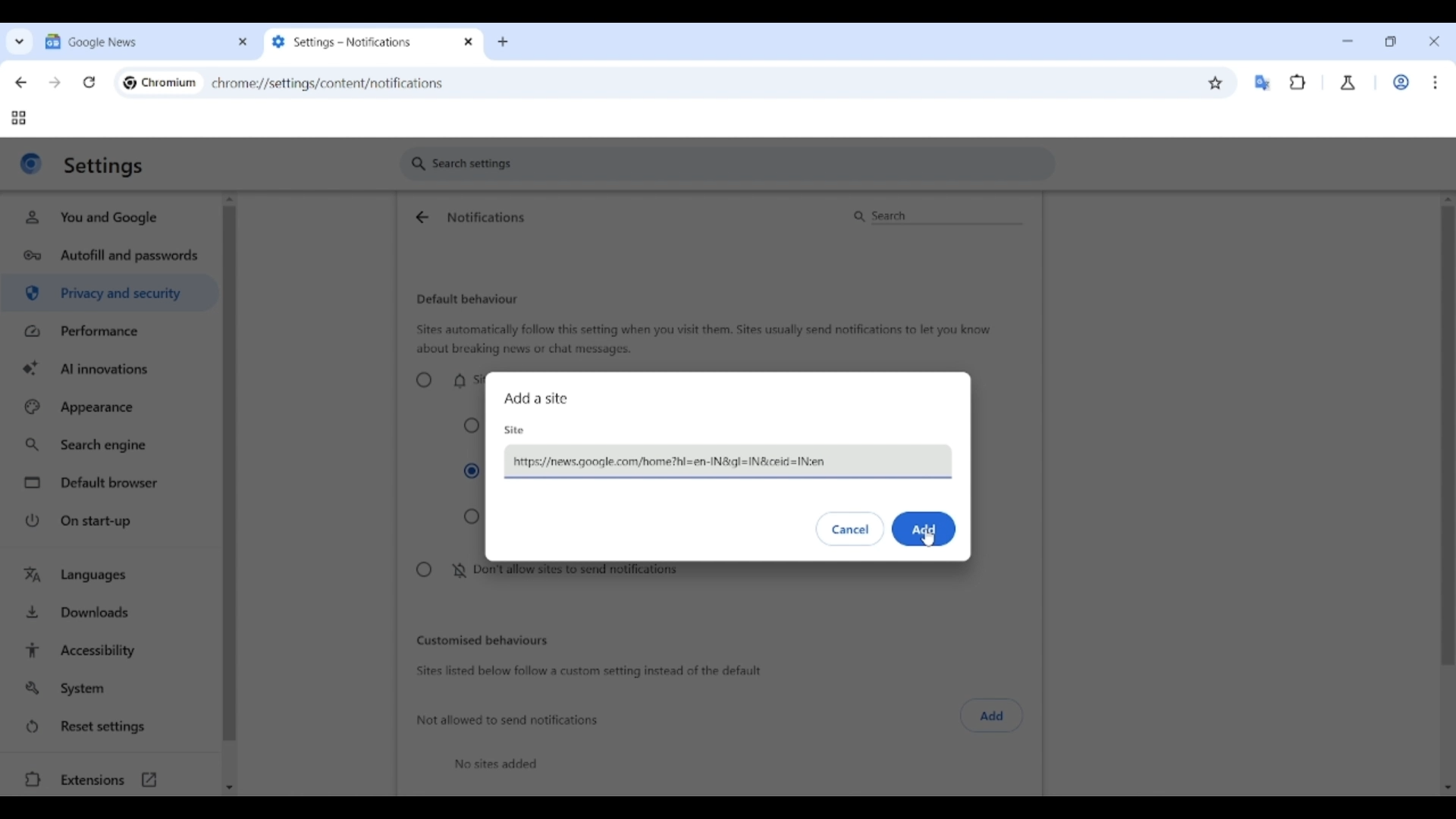  What do you see at coordinates (229, 788) in the screenshot?
I see `Quick slide to bottom` at bounding box center [229, 788].